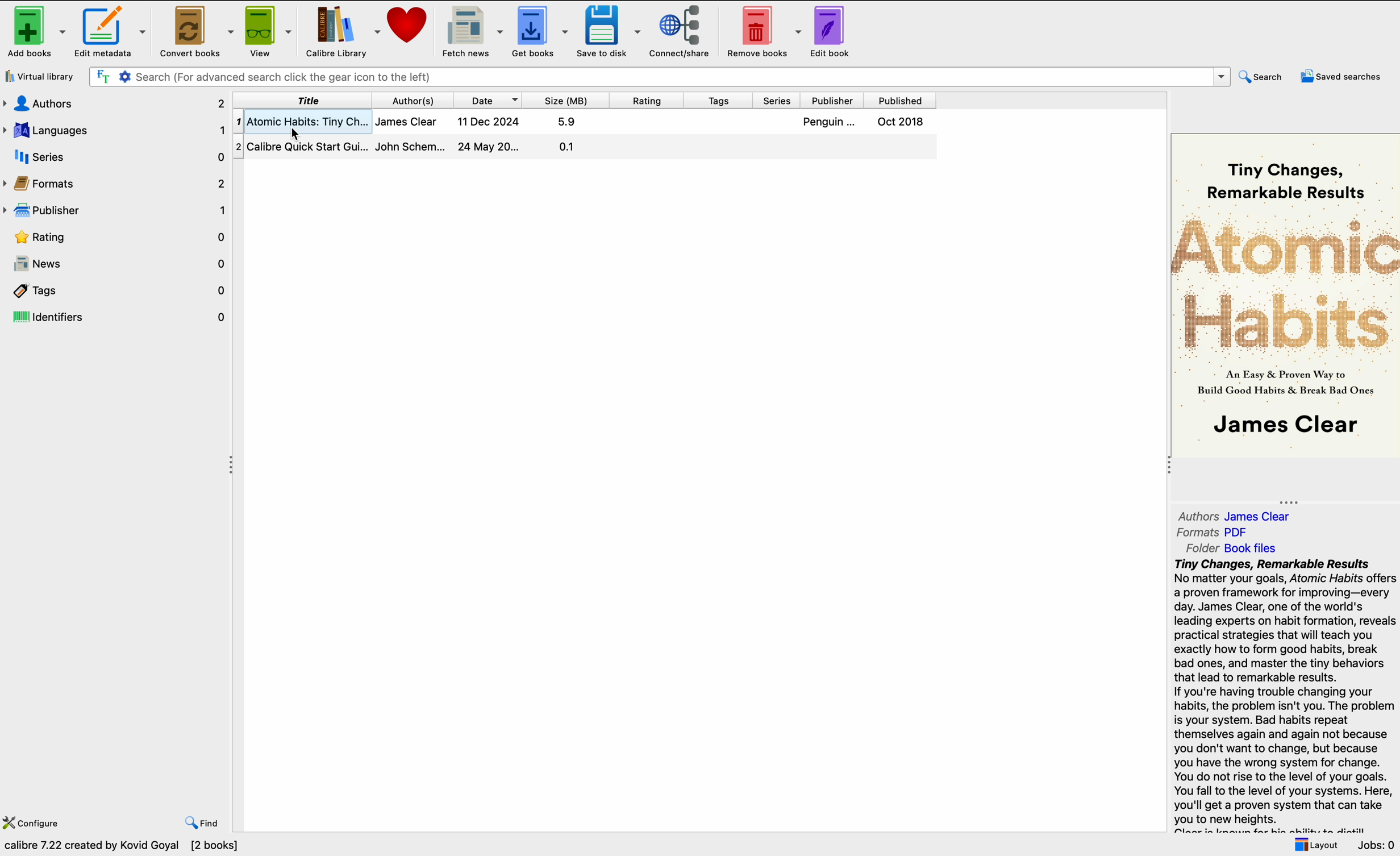 The image size is (1400, 856). Describe the element at coordinates (115, 128) in the screenshot. I see `languages` at that location.